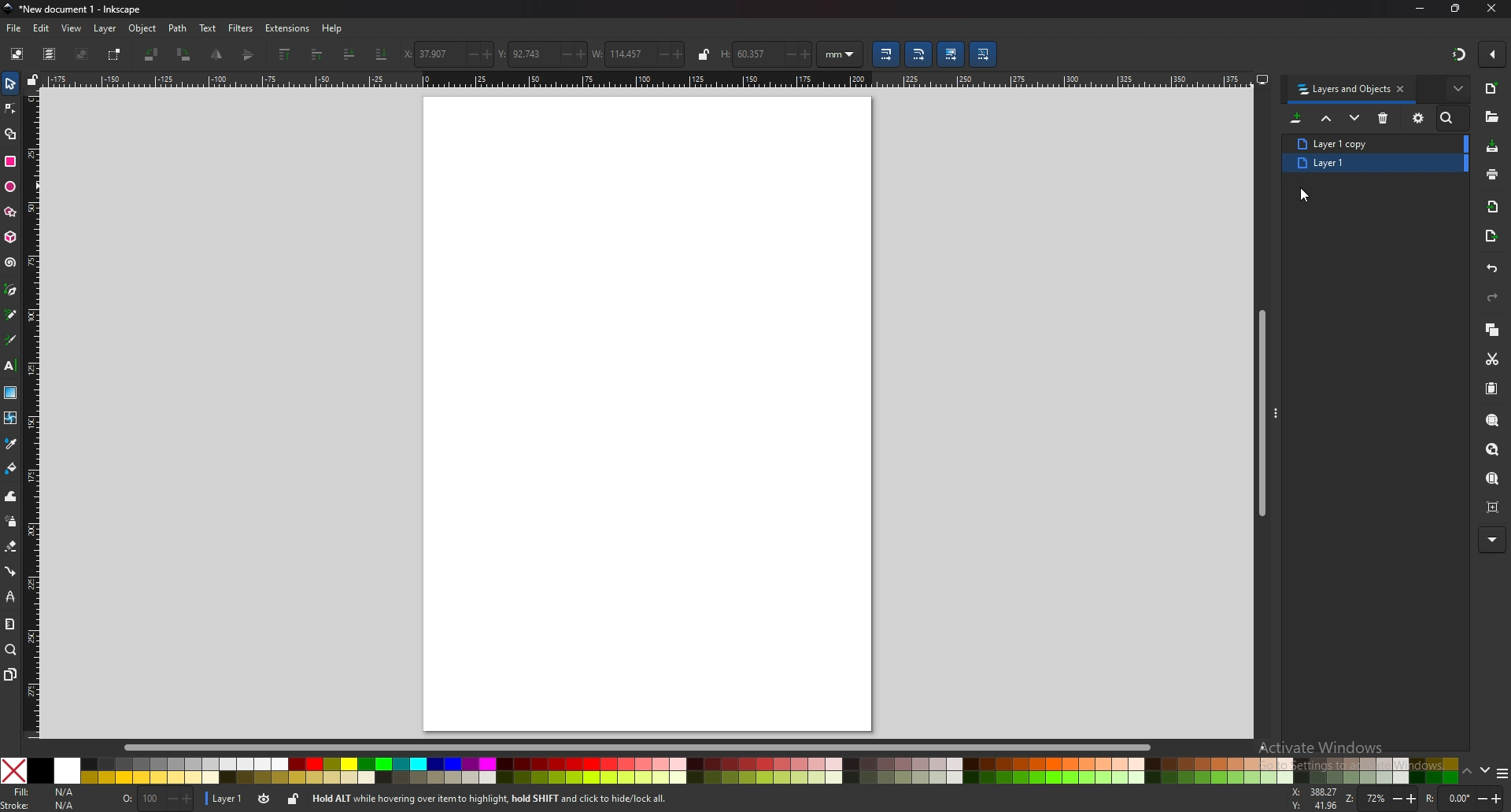  Describe the element at coordinates (951, 54) in the screenshot. I see `move gradient` at that location.